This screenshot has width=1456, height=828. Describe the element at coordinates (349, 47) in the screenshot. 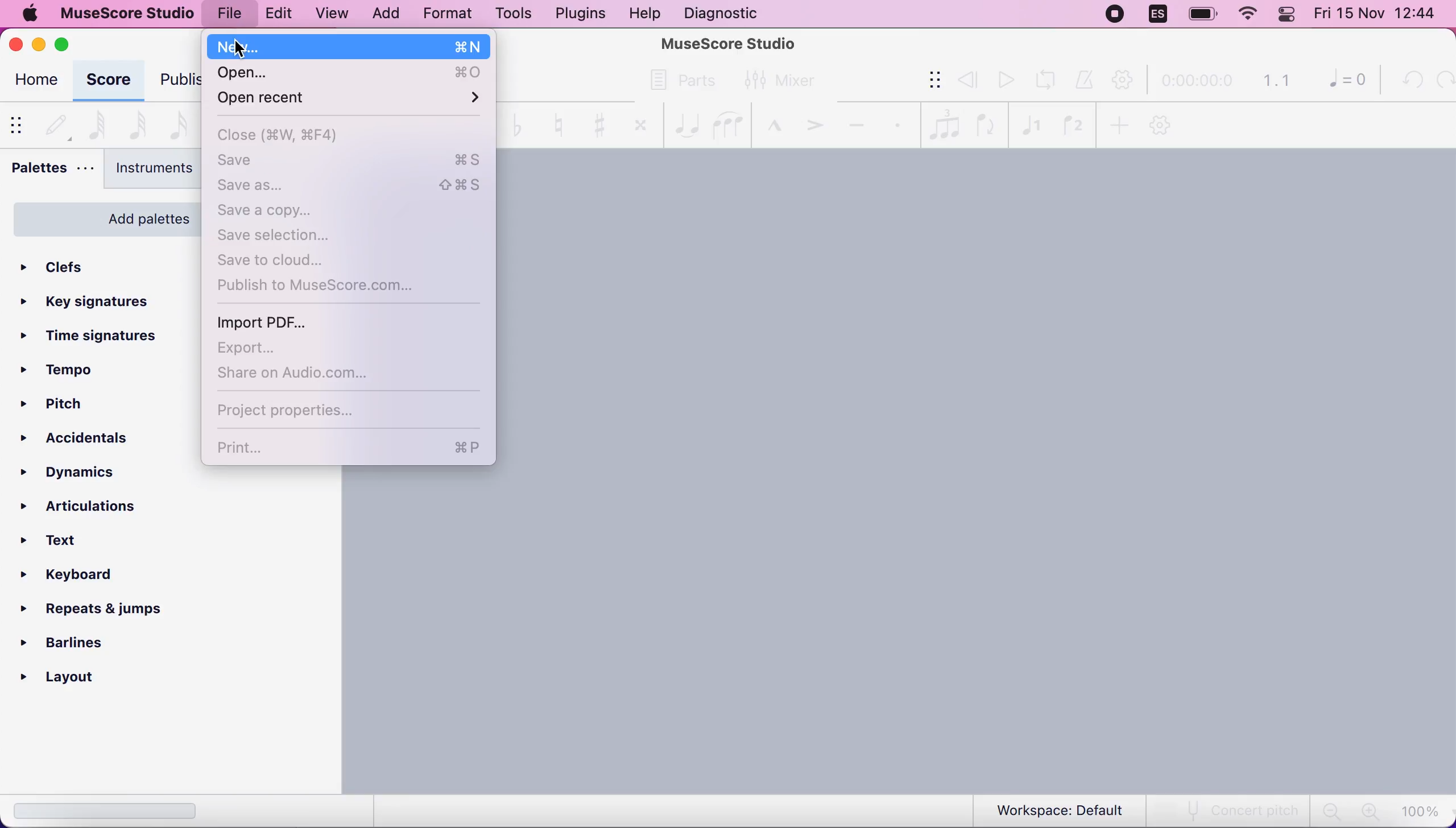

I see `new` at that location.